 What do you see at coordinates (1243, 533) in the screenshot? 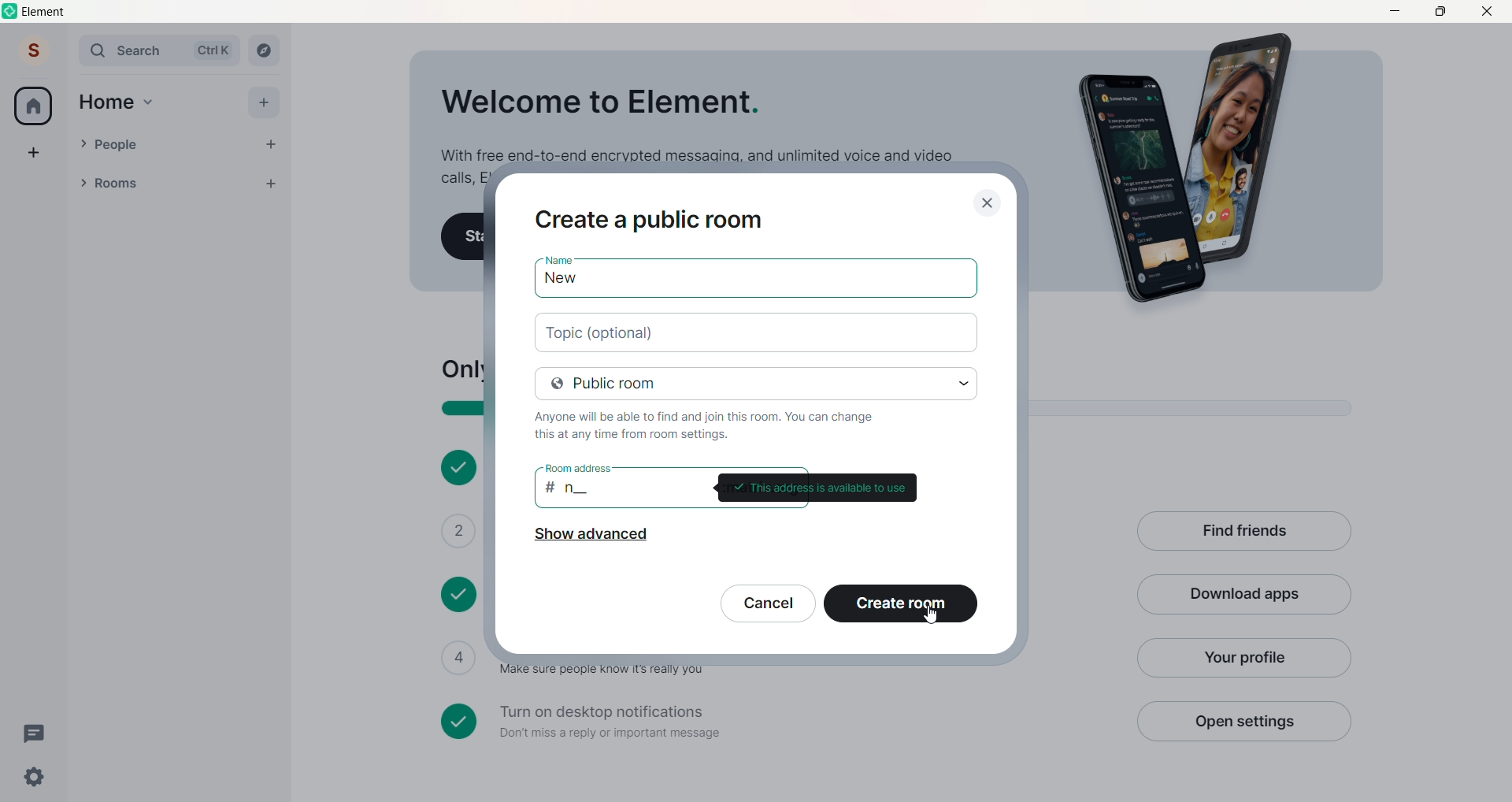
I see `Find Friends` at bounding box center [1243, 533].